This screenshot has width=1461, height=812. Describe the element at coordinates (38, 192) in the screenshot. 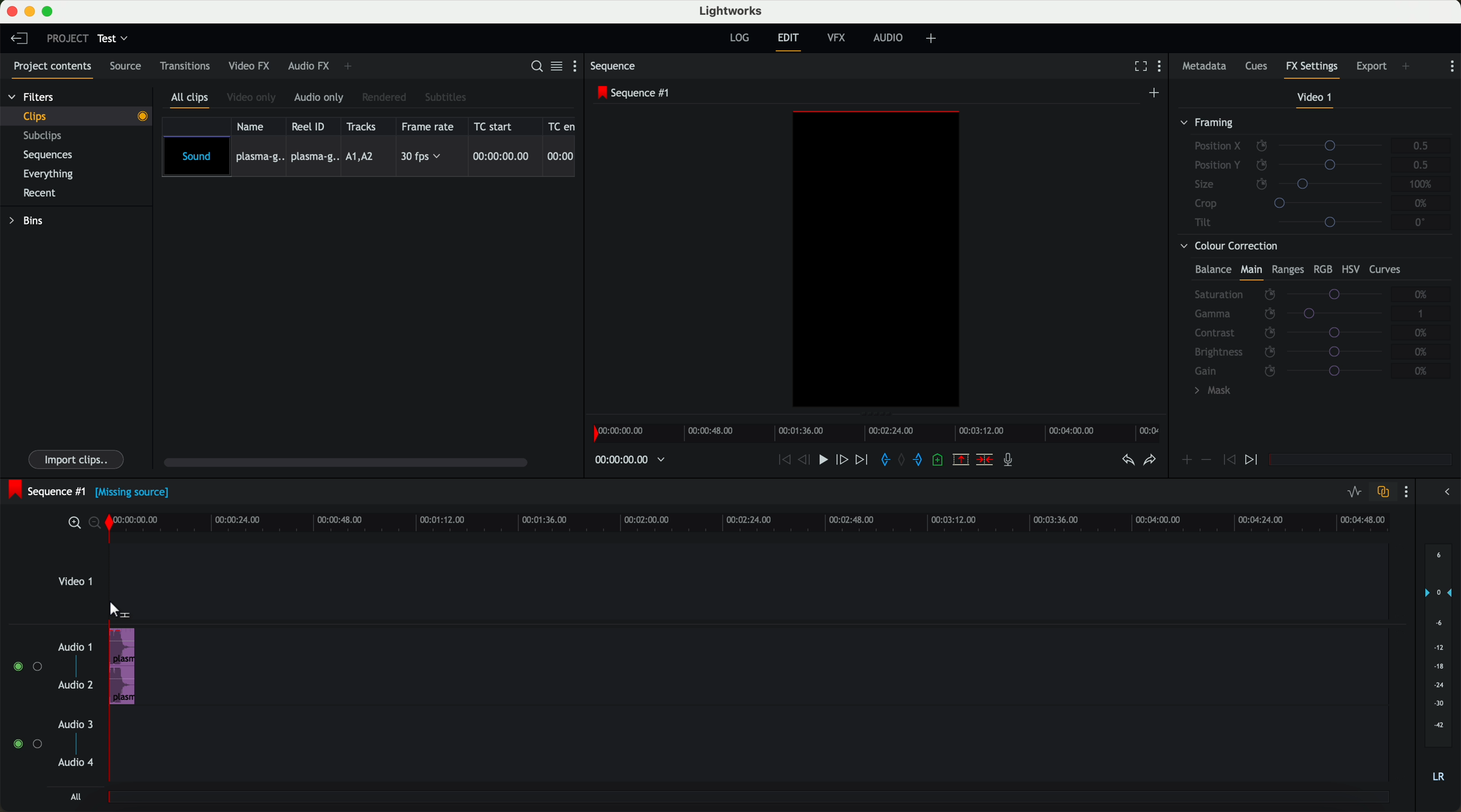

I see `recent` at that location.